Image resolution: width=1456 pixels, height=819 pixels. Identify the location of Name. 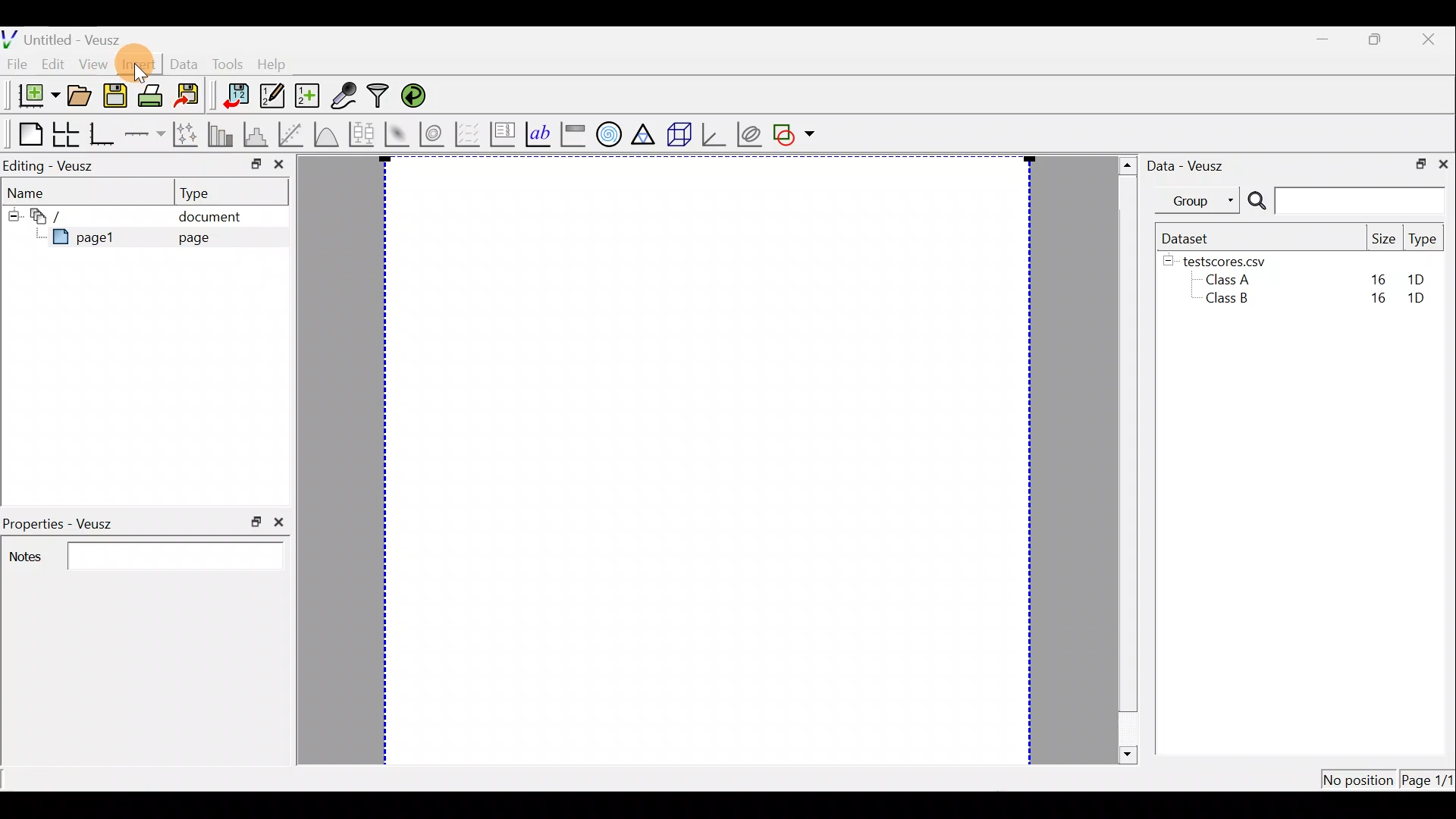
(45, 193).